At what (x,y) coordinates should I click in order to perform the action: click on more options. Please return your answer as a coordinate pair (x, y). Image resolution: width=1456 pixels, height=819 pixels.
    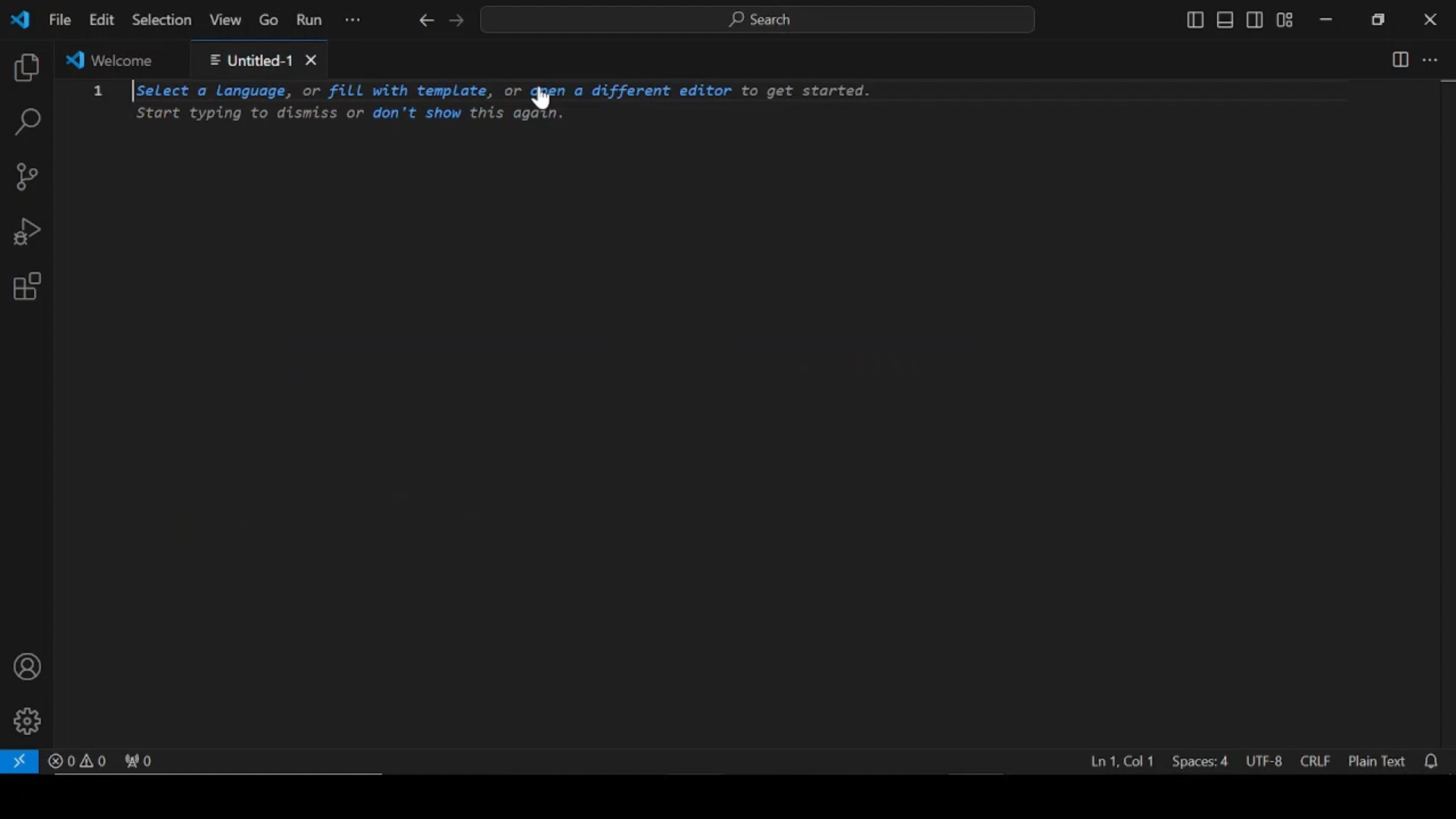
    Looking at the image, I should click on (354, 20).